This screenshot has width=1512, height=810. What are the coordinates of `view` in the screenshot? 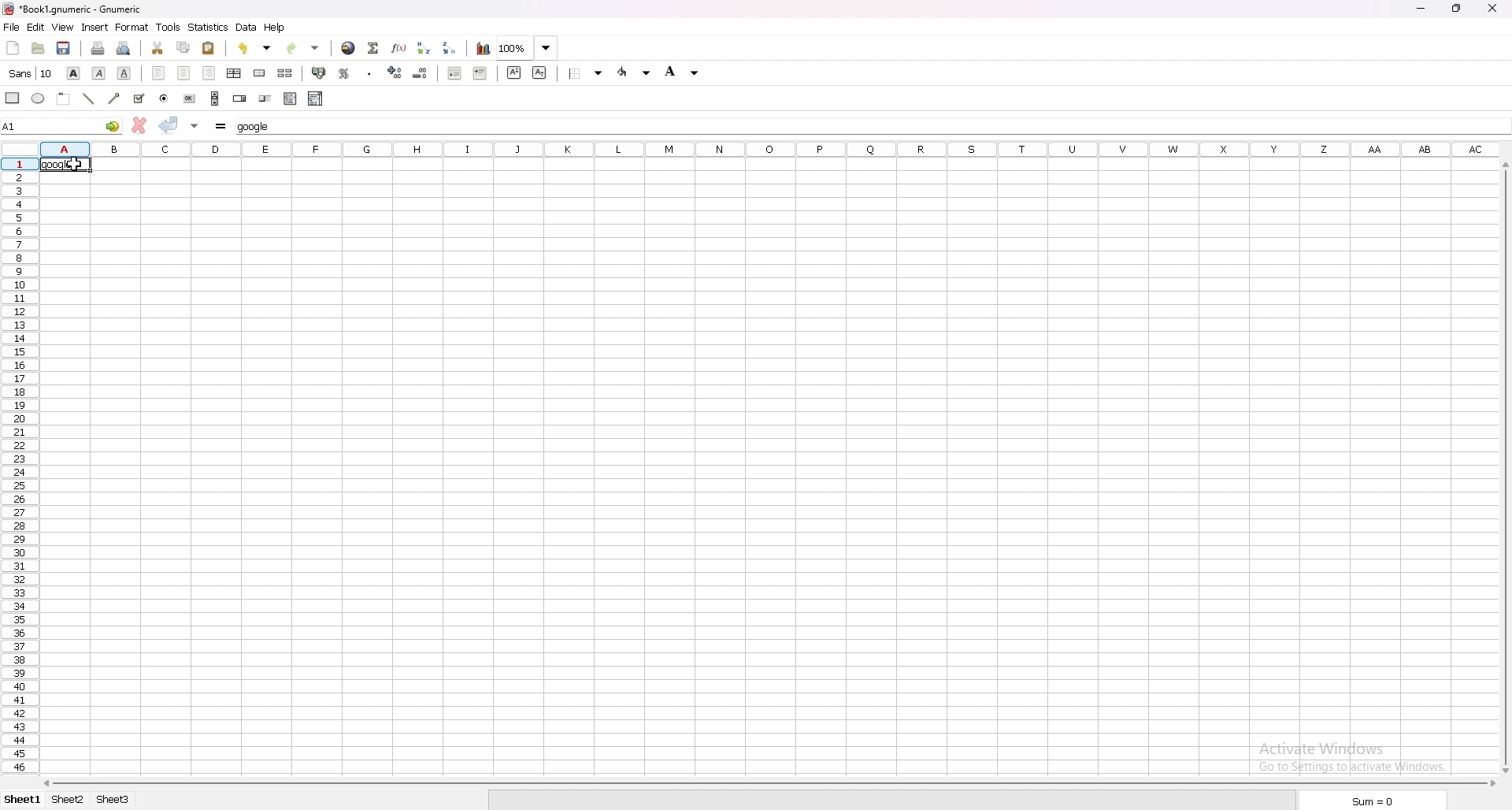 It's located at (63, 27).